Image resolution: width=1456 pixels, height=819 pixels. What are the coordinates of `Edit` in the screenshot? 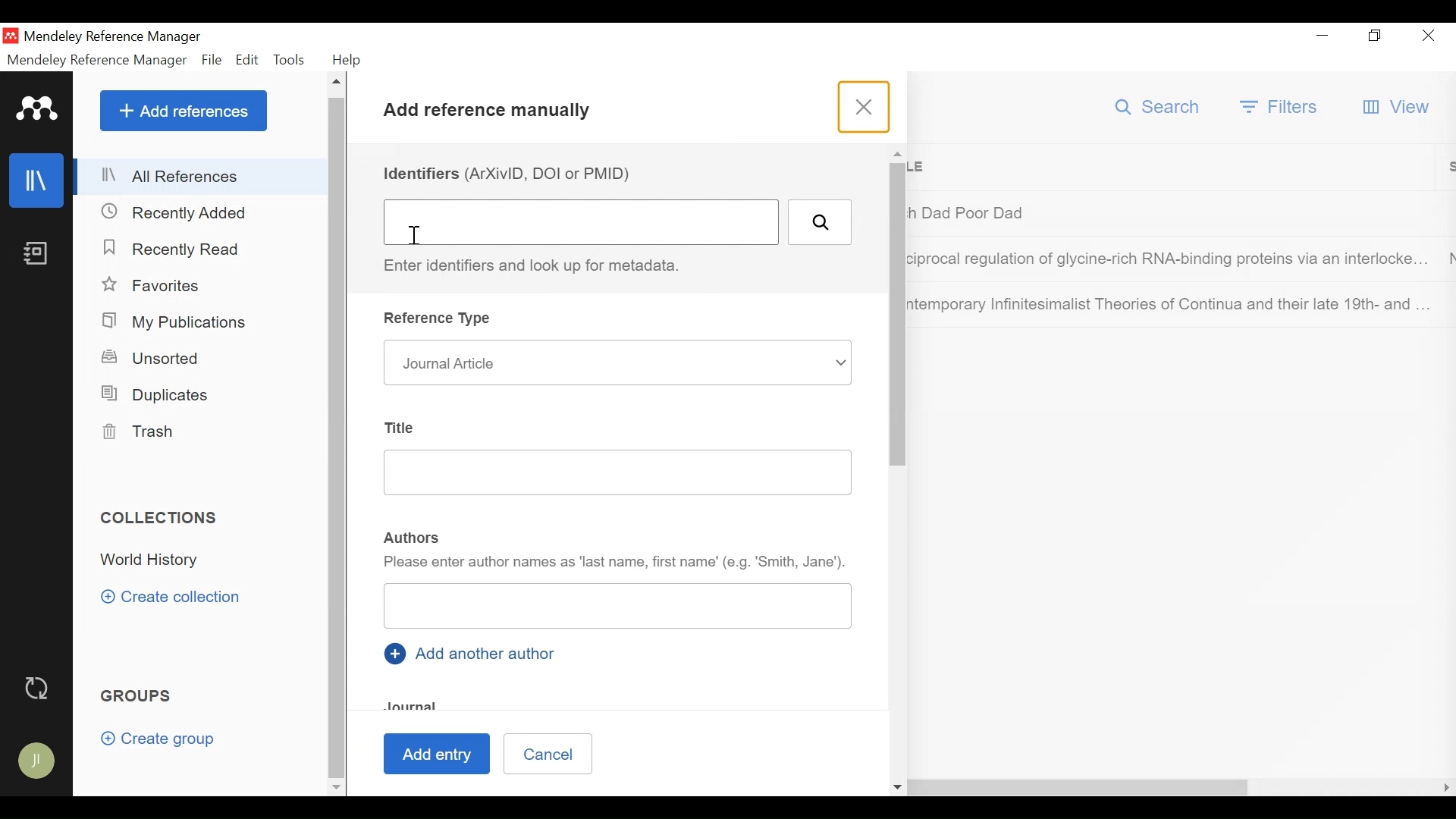 It's located at (248, 59).